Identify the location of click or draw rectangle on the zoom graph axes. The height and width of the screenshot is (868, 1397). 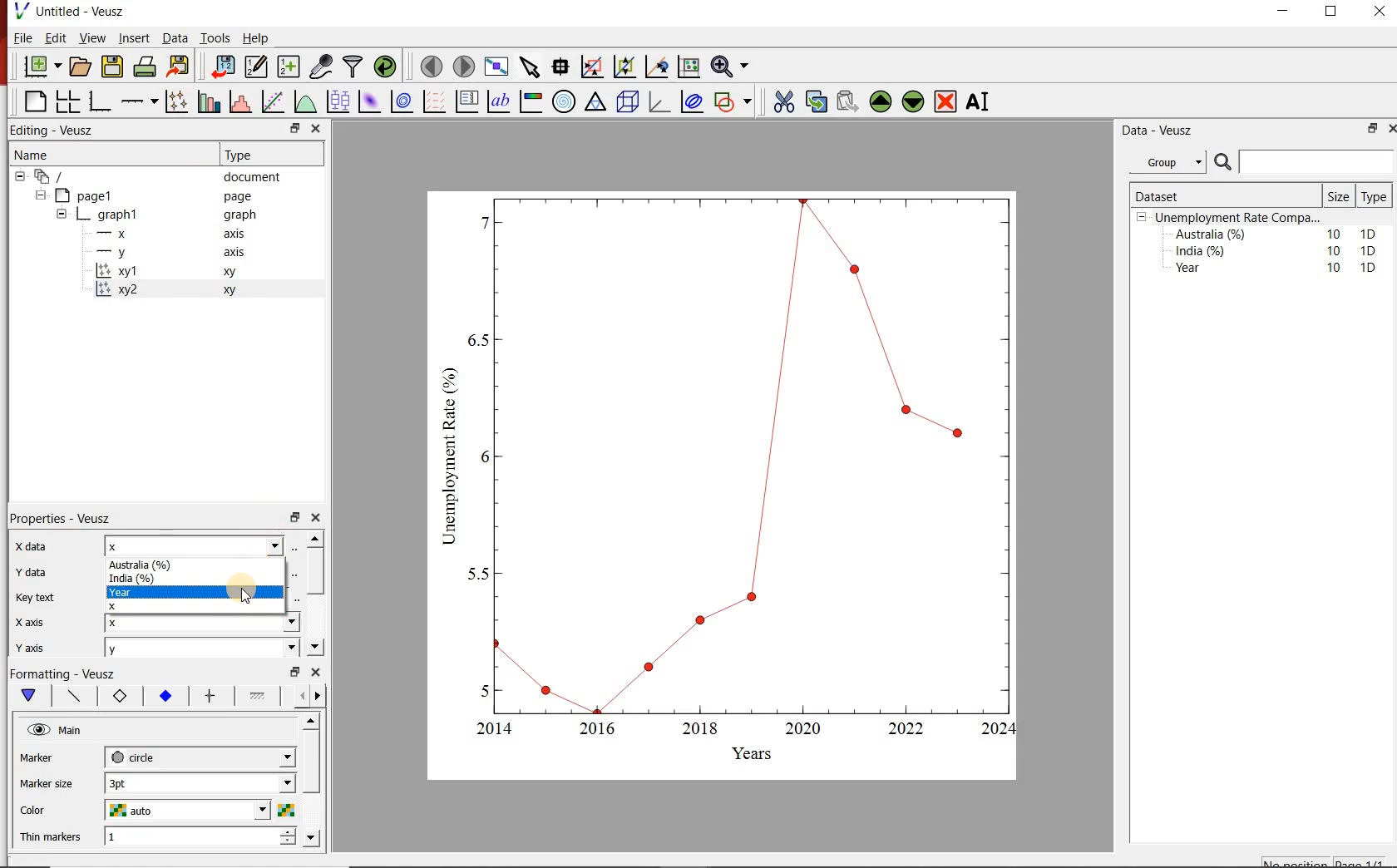
(593, 67).